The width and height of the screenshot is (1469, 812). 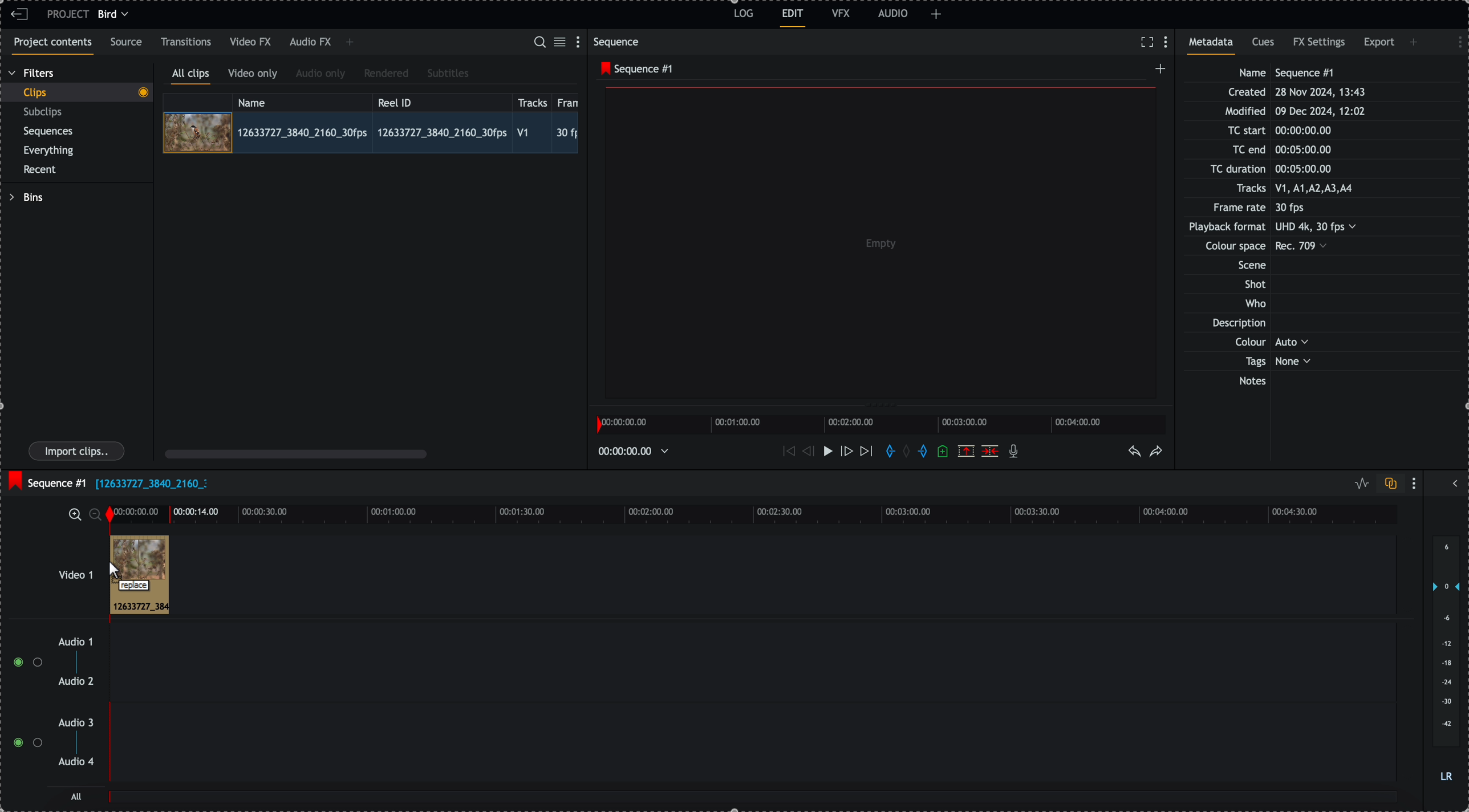 What do you see at coordinates (46, 480) in the screenshot?
I see `sequence #1` at bounding box center [46, 480].